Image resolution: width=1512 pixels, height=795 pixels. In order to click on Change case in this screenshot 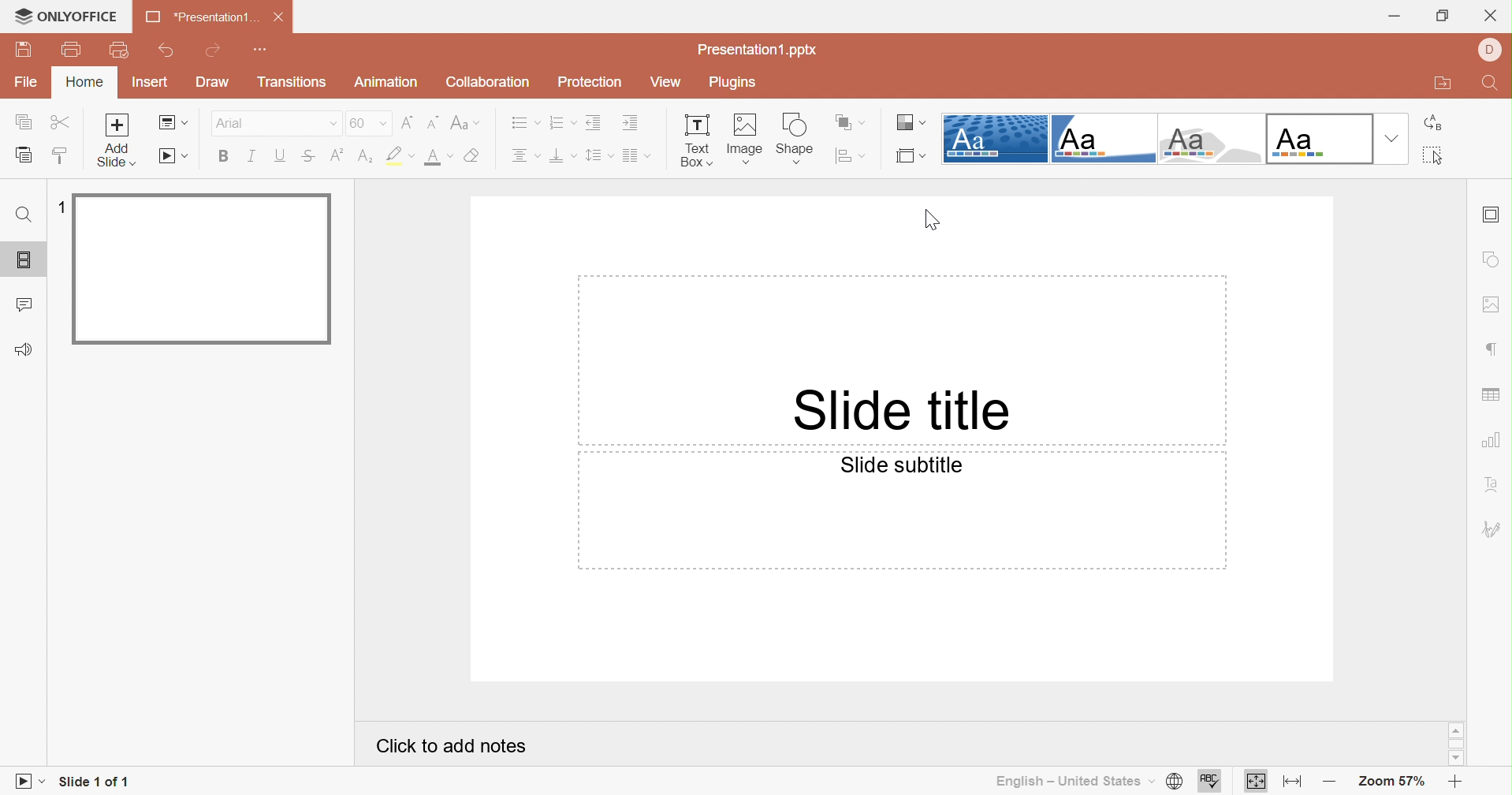, I will do `click(464, 125)`.